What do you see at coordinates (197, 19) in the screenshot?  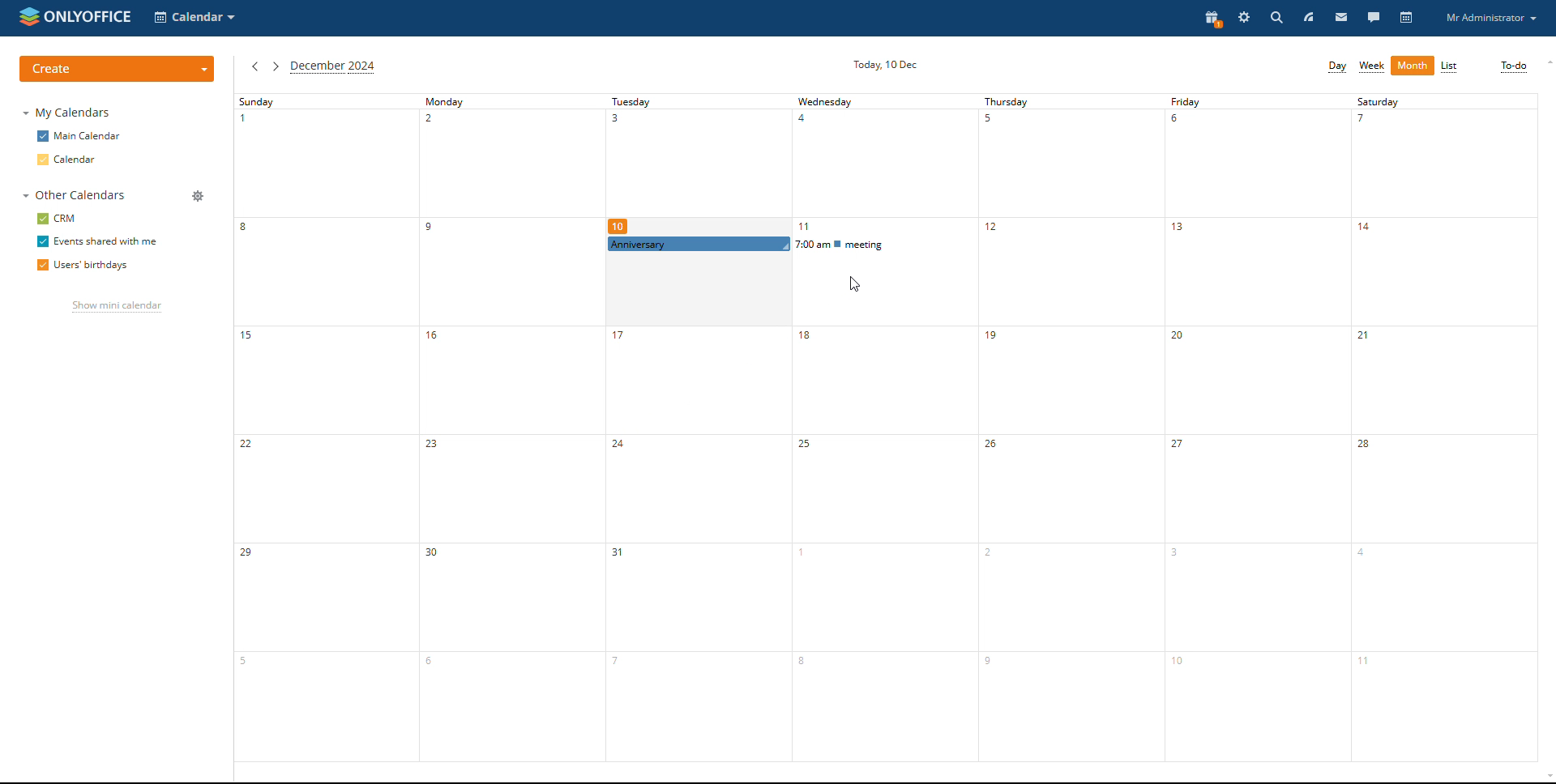 I see `select application` at bounding box center [197, 19].